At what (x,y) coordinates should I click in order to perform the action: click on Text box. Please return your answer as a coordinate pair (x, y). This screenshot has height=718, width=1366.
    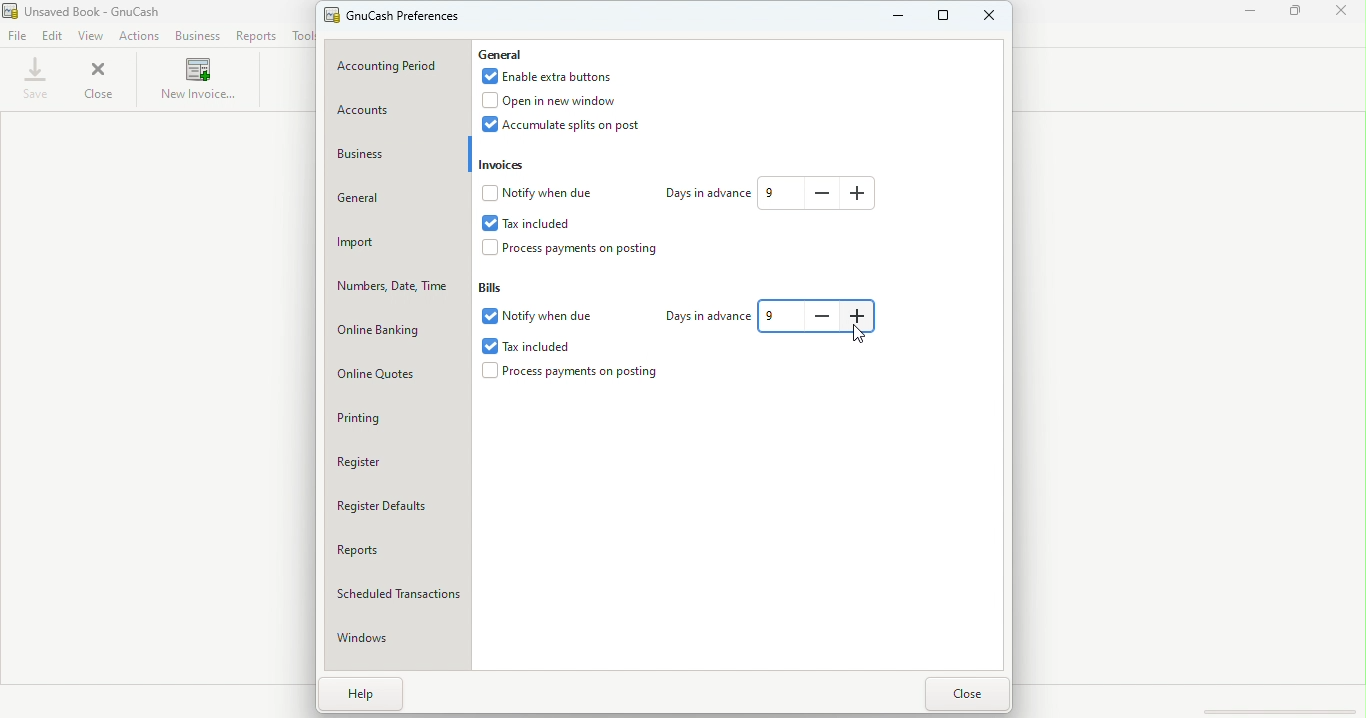
    Looking at the image, I should click on (782, 318).